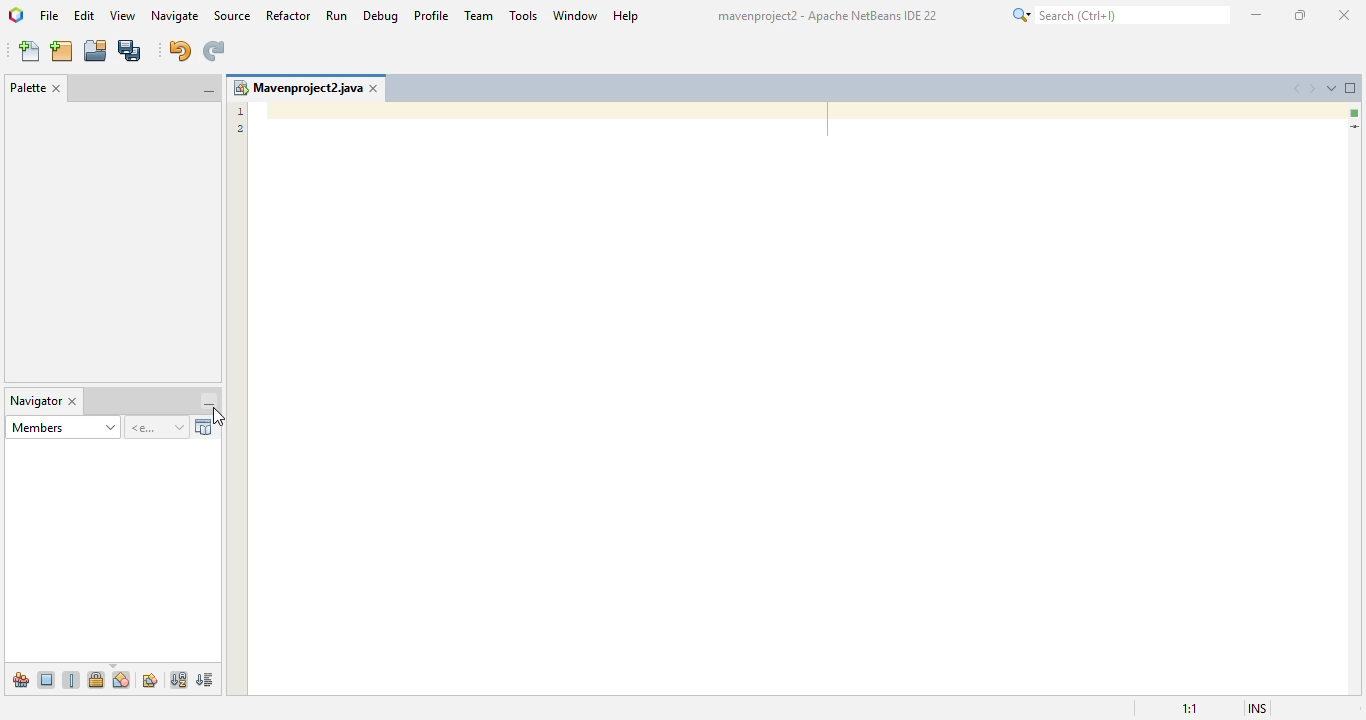  I want to click on close window, so click(374, 88).